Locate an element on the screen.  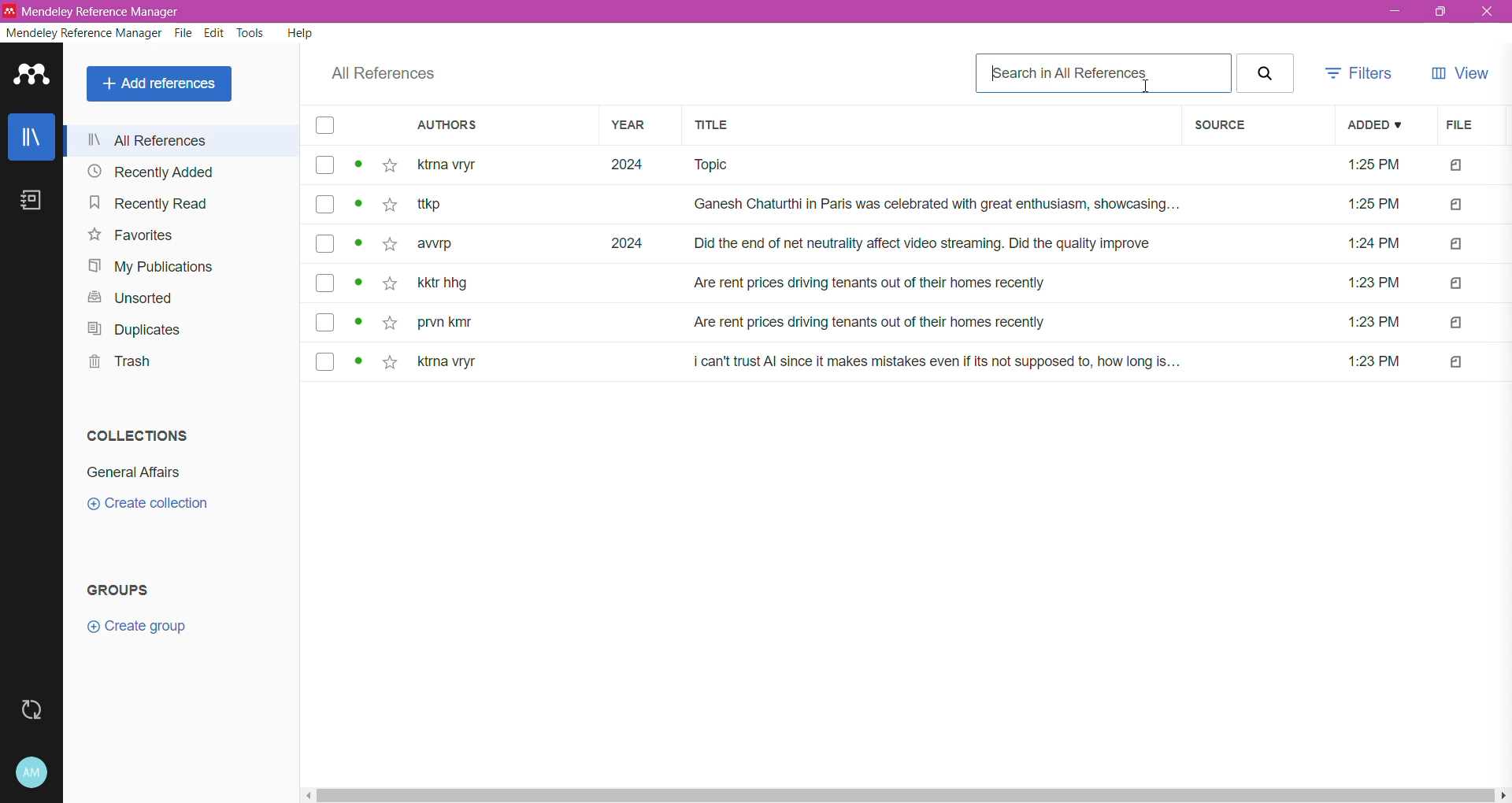
select file is located at coordinates (322, 321).